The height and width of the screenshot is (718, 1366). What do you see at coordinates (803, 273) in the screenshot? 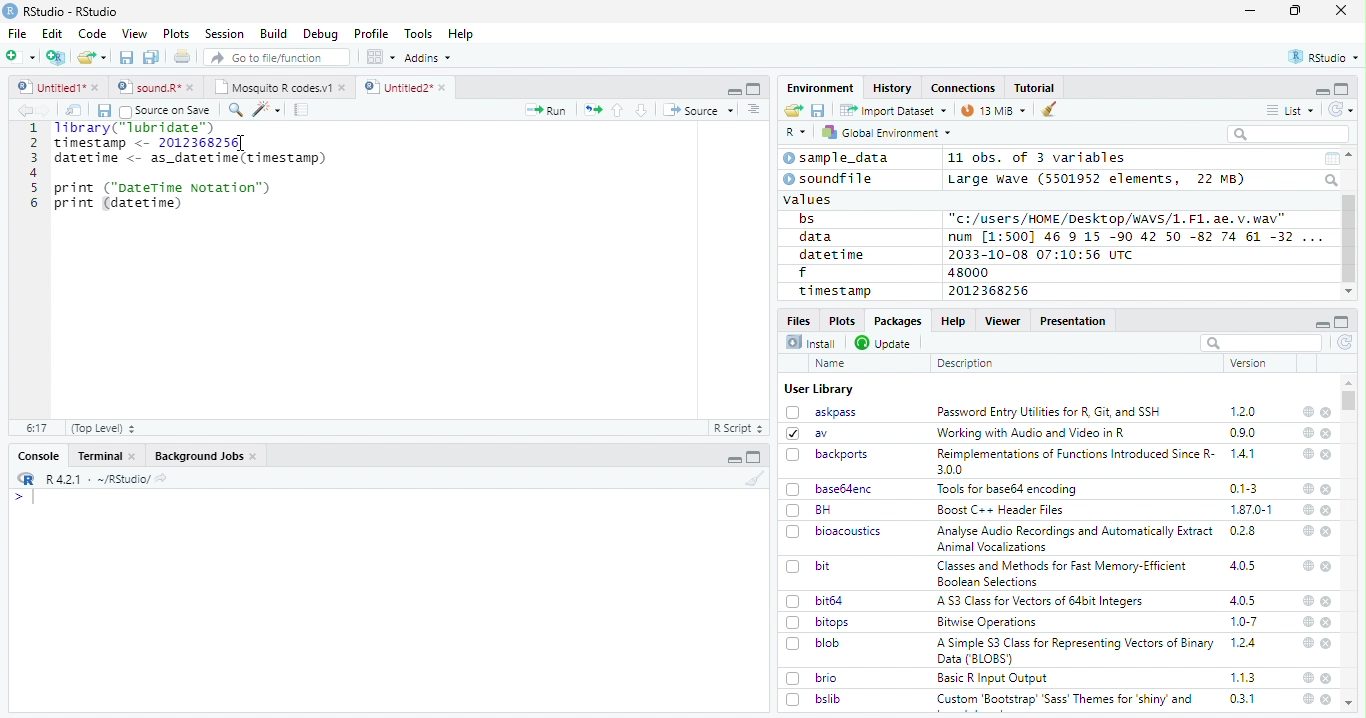
I see `f` at bounding box center [803, 273].